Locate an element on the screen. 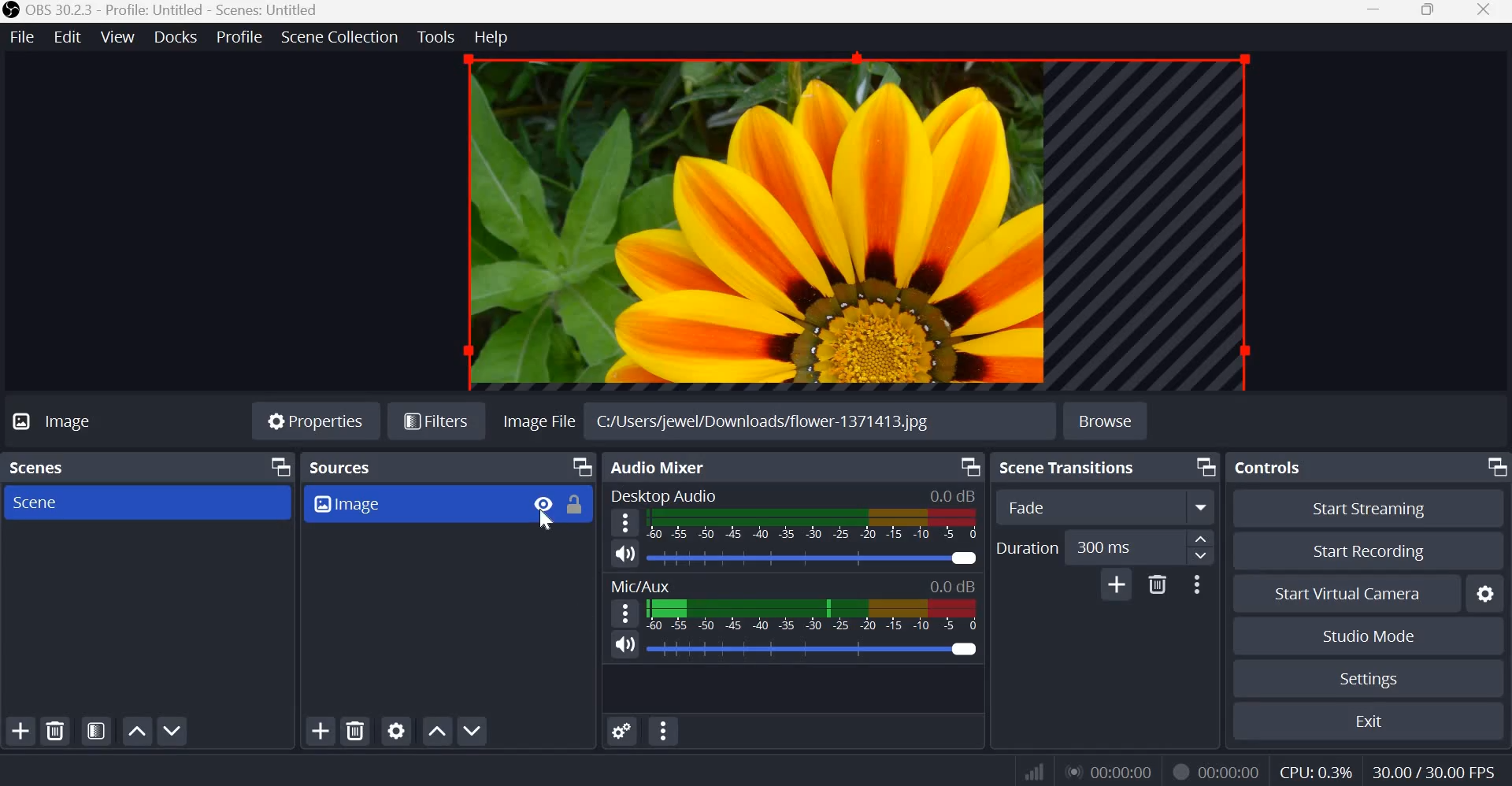  Open source properties is located at coordinates (395, 730).